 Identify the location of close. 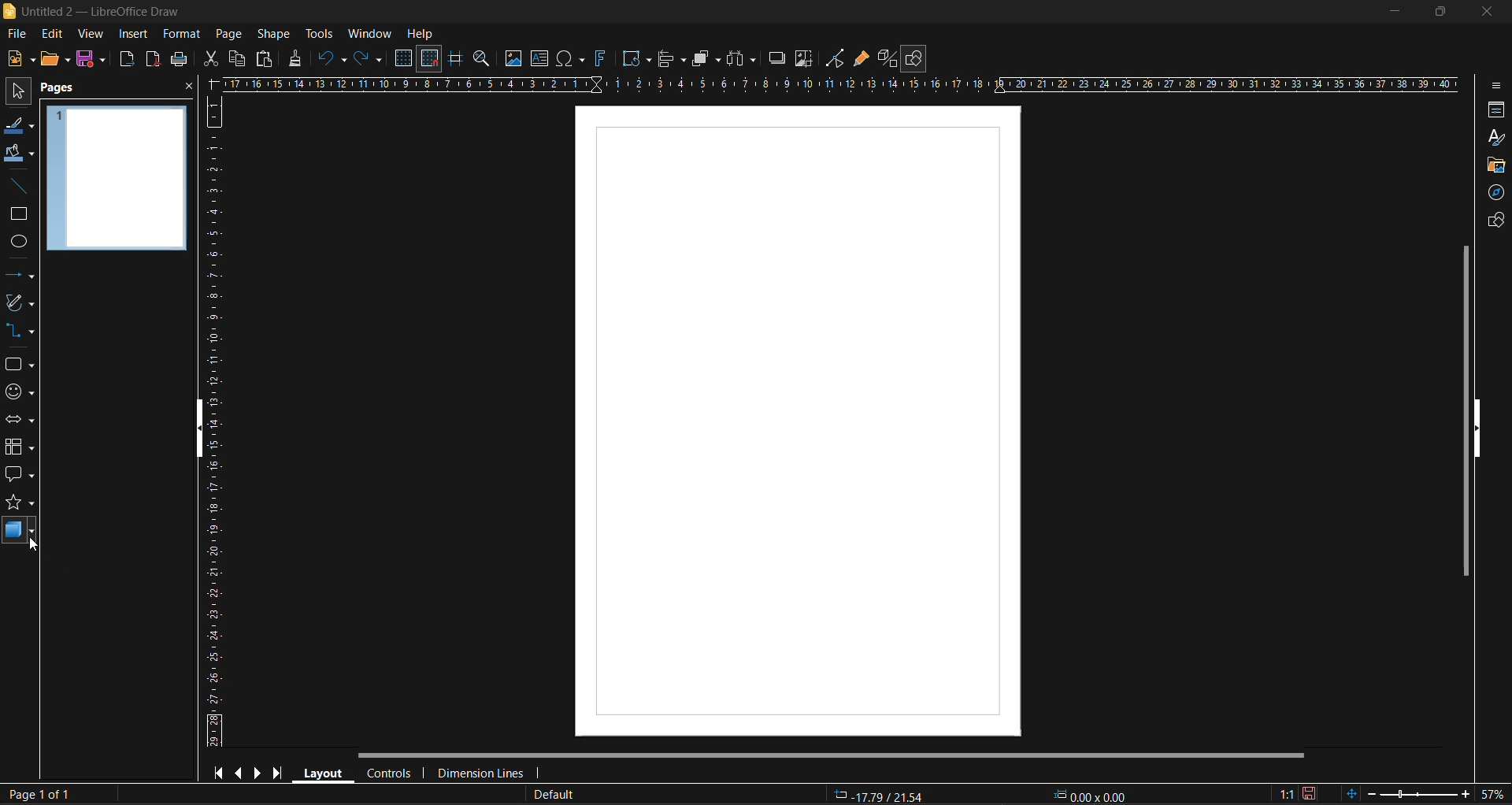
(187, 90).